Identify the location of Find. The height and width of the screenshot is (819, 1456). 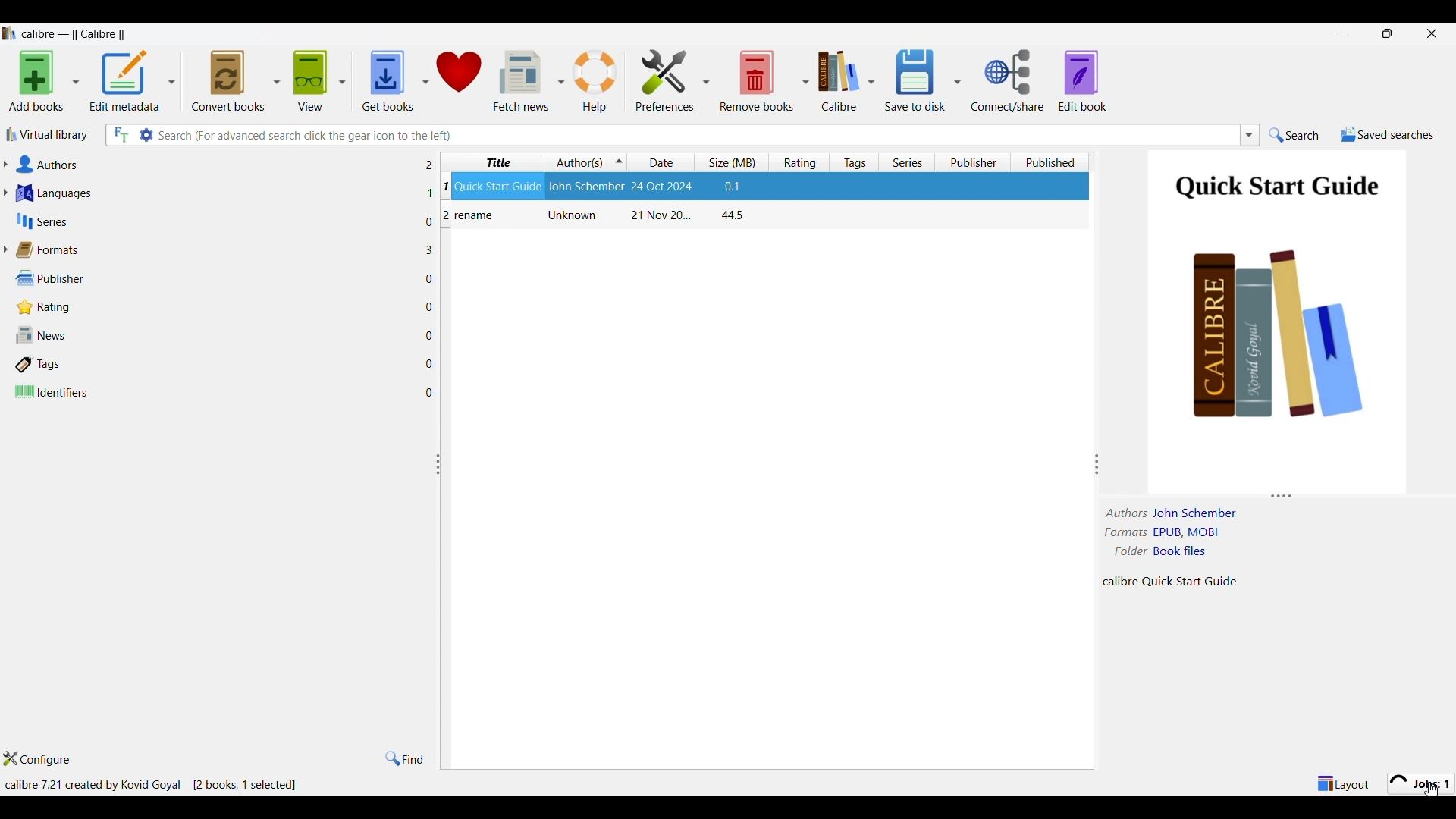
(404, 759).